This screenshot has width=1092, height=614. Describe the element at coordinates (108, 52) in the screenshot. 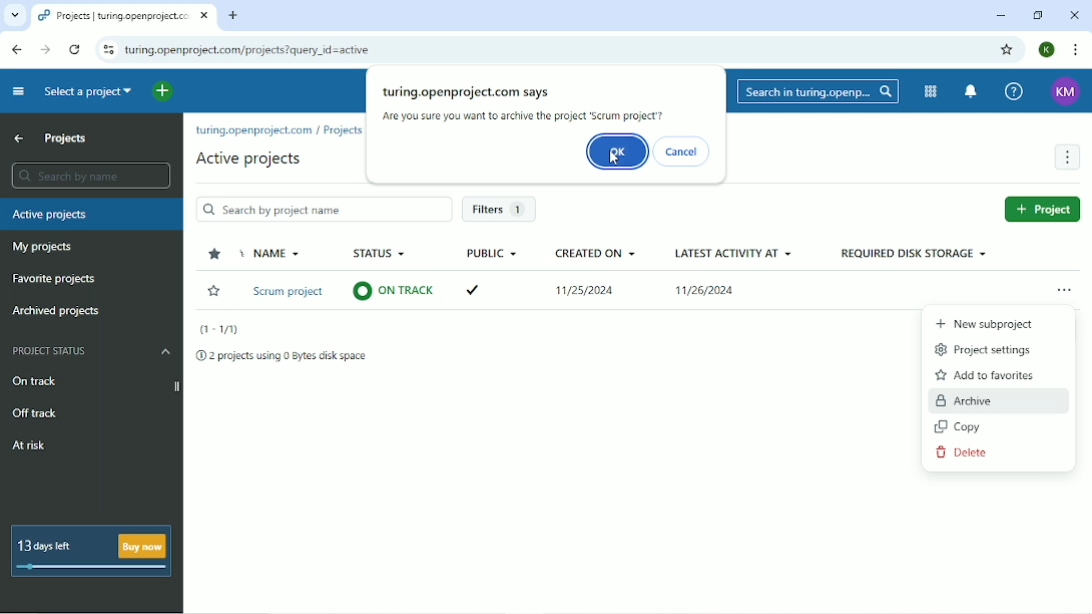

I see `View site information` at that location.